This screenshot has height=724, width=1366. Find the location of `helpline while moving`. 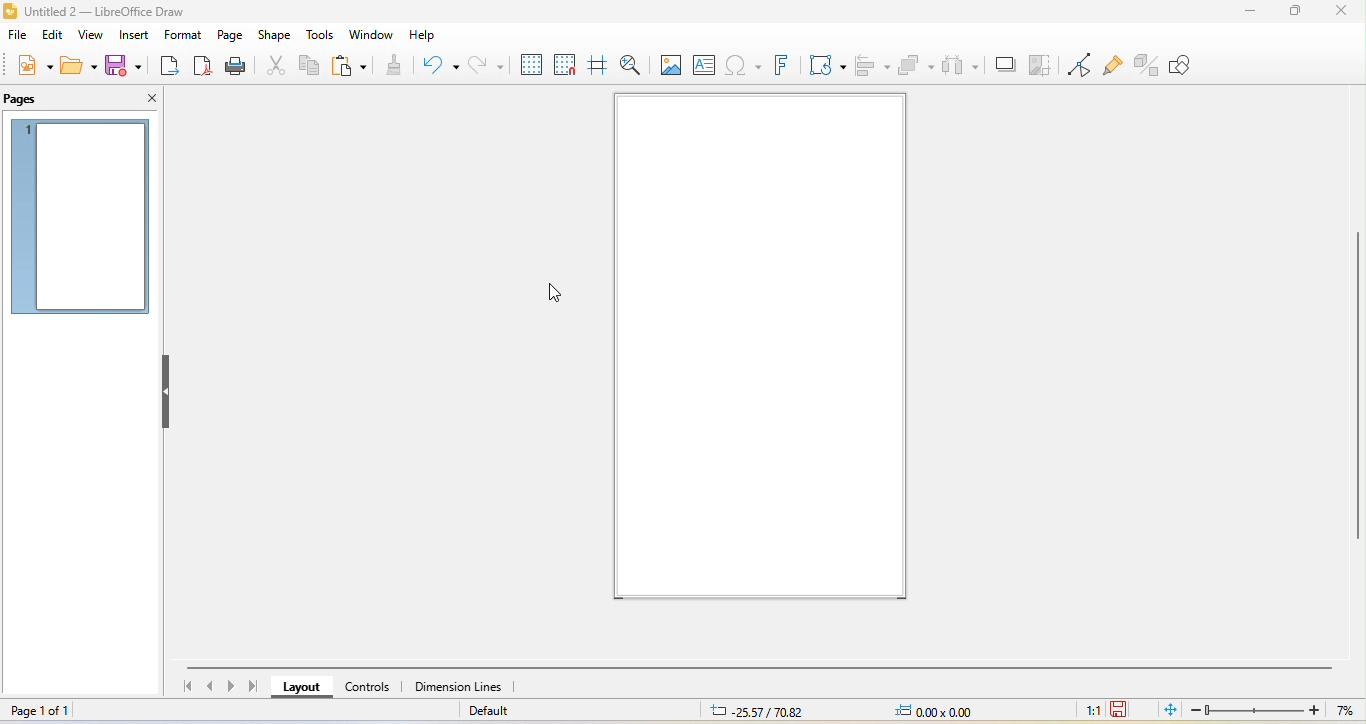

helpline while moving is located at coordinates (596, 66).